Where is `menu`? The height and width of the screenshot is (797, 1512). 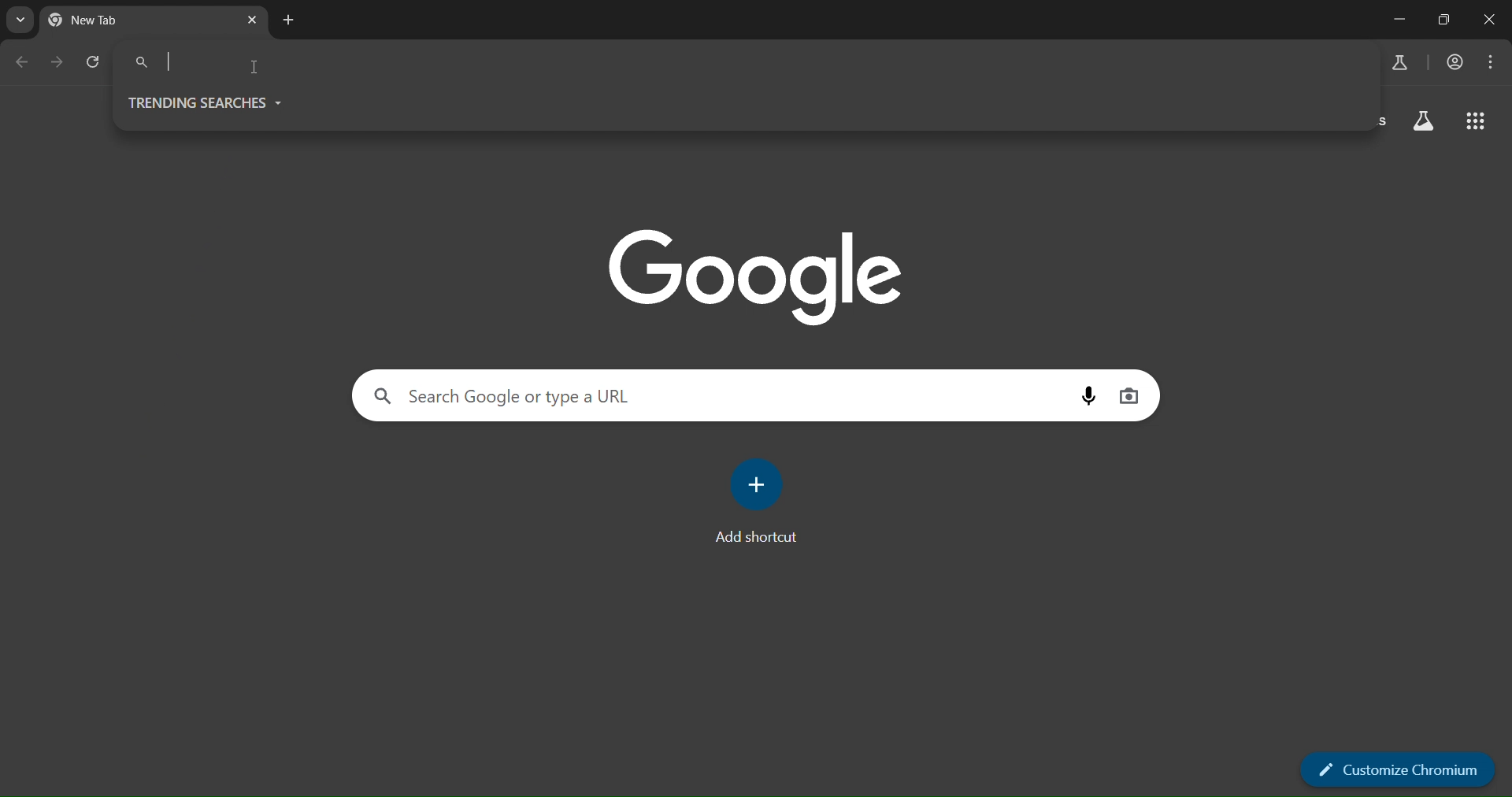 menu is located at coordinates (1492, 63).